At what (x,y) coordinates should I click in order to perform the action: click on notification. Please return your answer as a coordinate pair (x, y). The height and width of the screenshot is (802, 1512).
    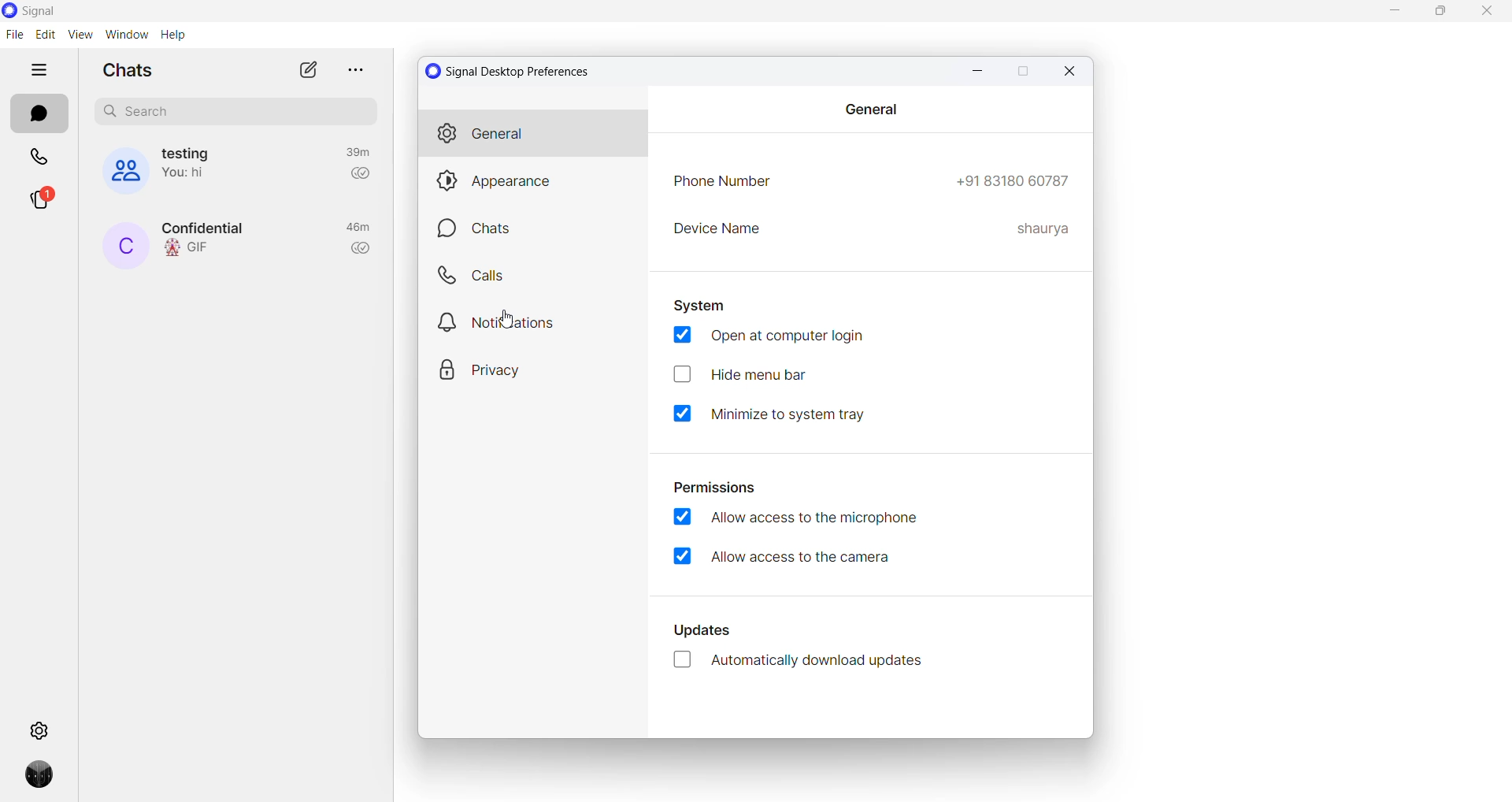
    Looking at the image, I should click on (536, 319).